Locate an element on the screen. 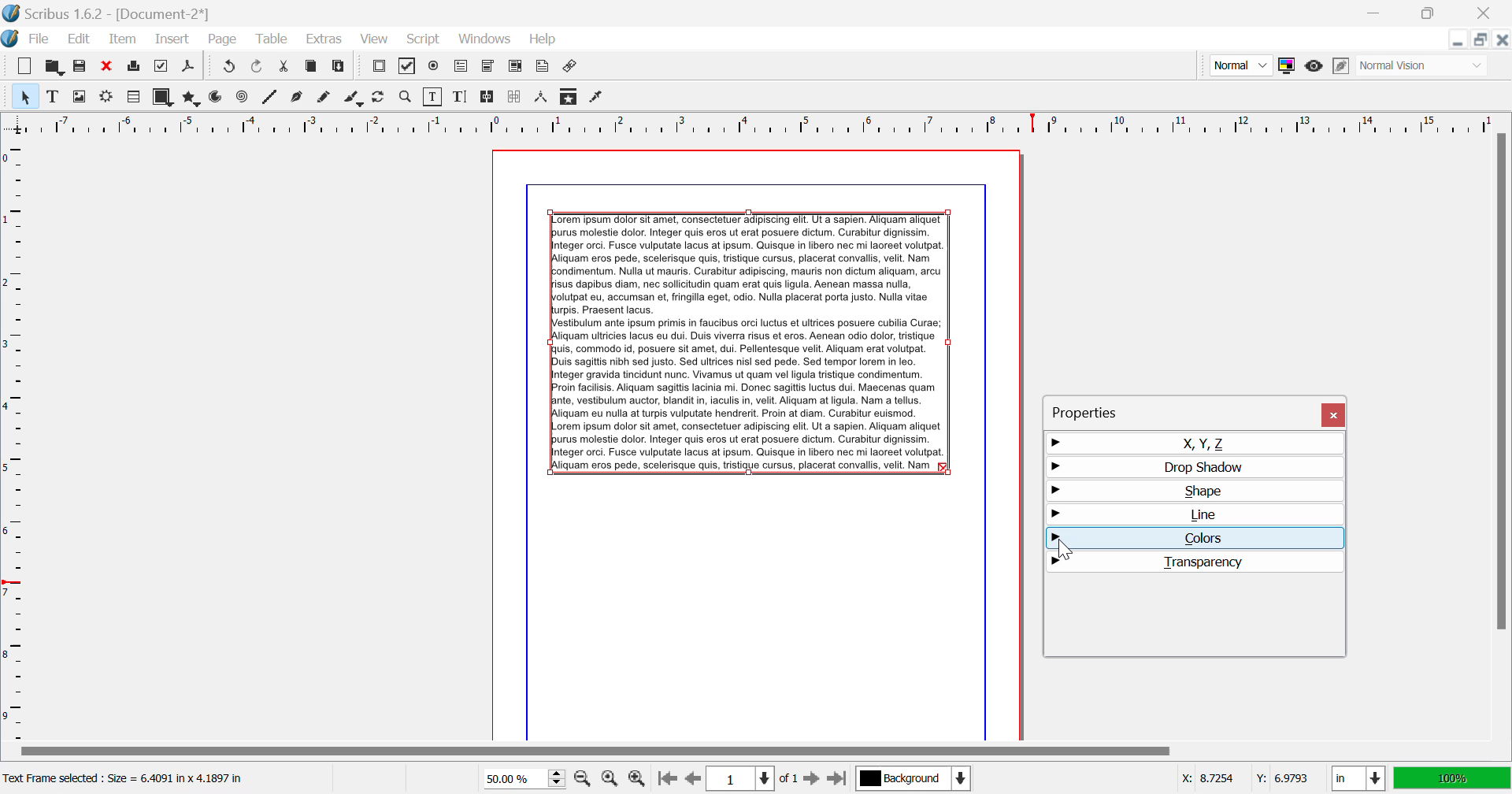 This screenshot has width=1512, height=794. Minimize is located at coordinates (1482, 39).